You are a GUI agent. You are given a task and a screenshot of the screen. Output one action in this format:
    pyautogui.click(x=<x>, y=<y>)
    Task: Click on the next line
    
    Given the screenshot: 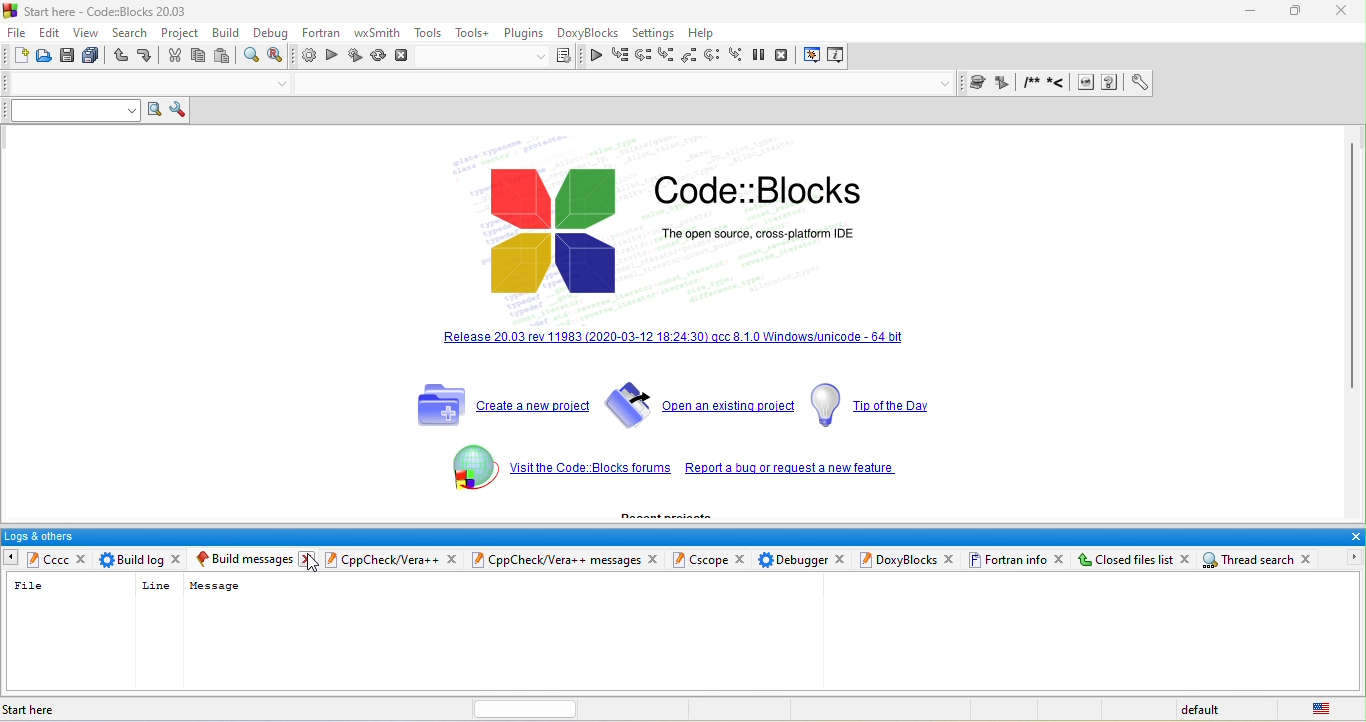 What is the action you would take?
    pyautogui.click(x=642, y=55)
    